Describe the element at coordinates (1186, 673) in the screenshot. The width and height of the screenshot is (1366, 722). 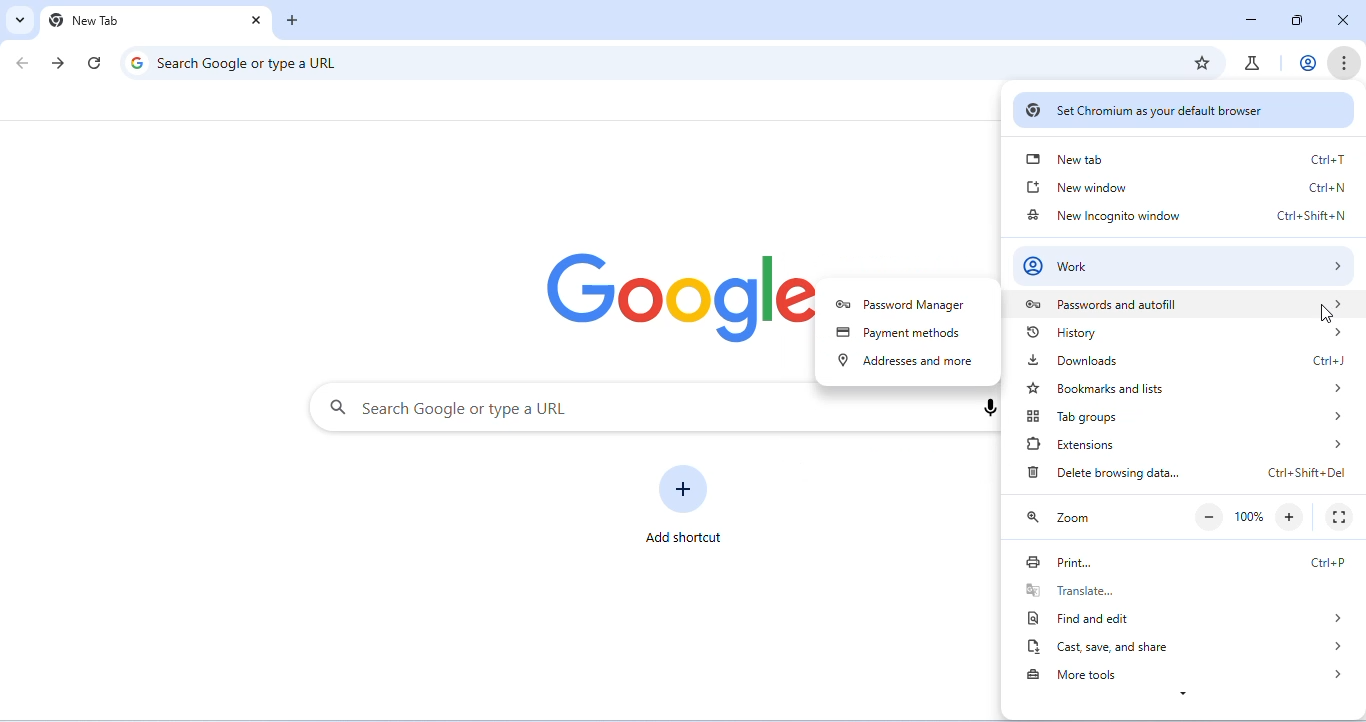
I see `more tools` at that location.